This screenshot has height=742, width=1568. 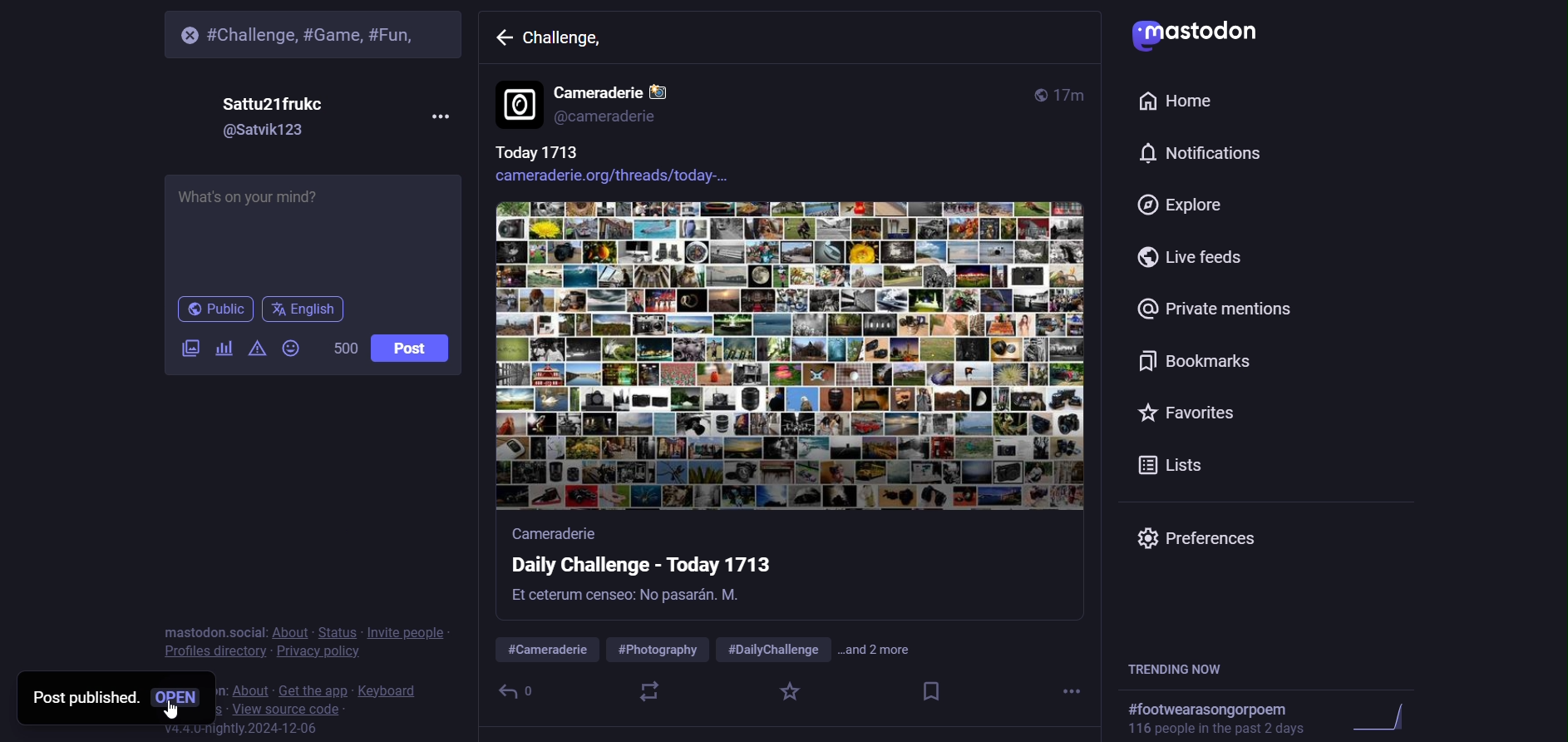 I want to click on post published, so click(x=80, y=696).